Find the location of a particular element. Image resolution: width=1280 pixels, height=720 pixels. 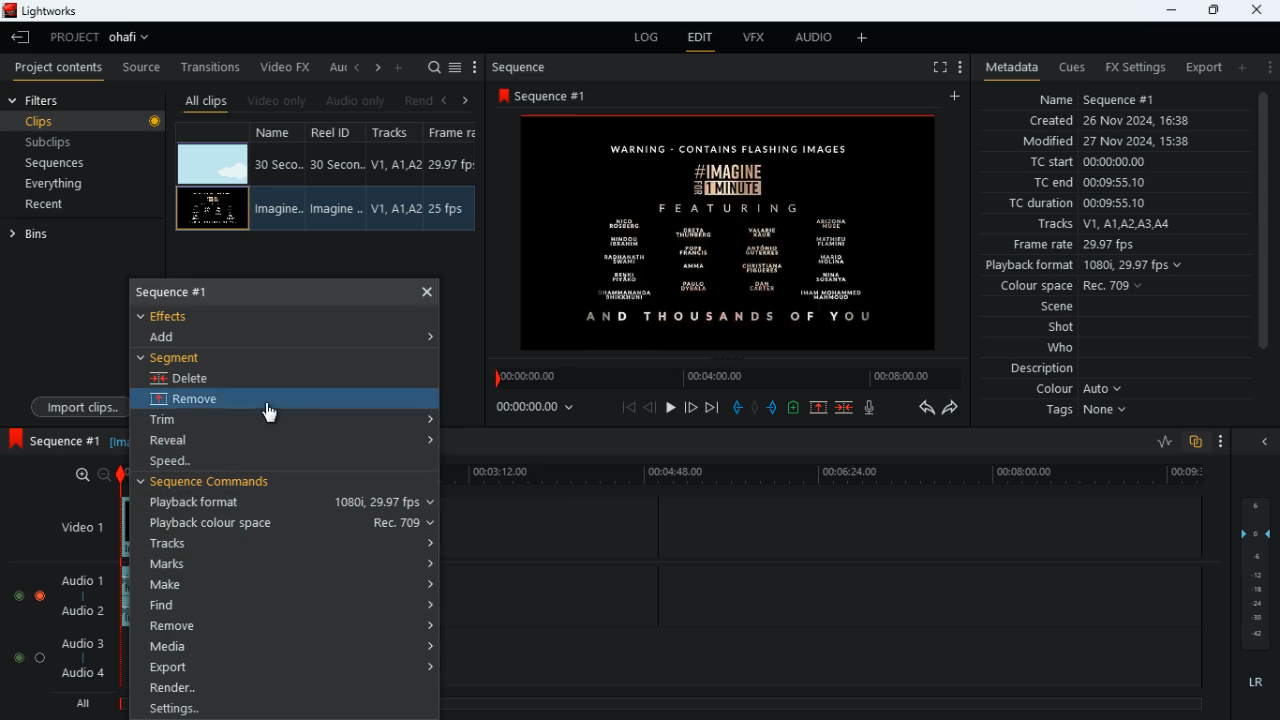

reel id is located at coordinates (337, 178).